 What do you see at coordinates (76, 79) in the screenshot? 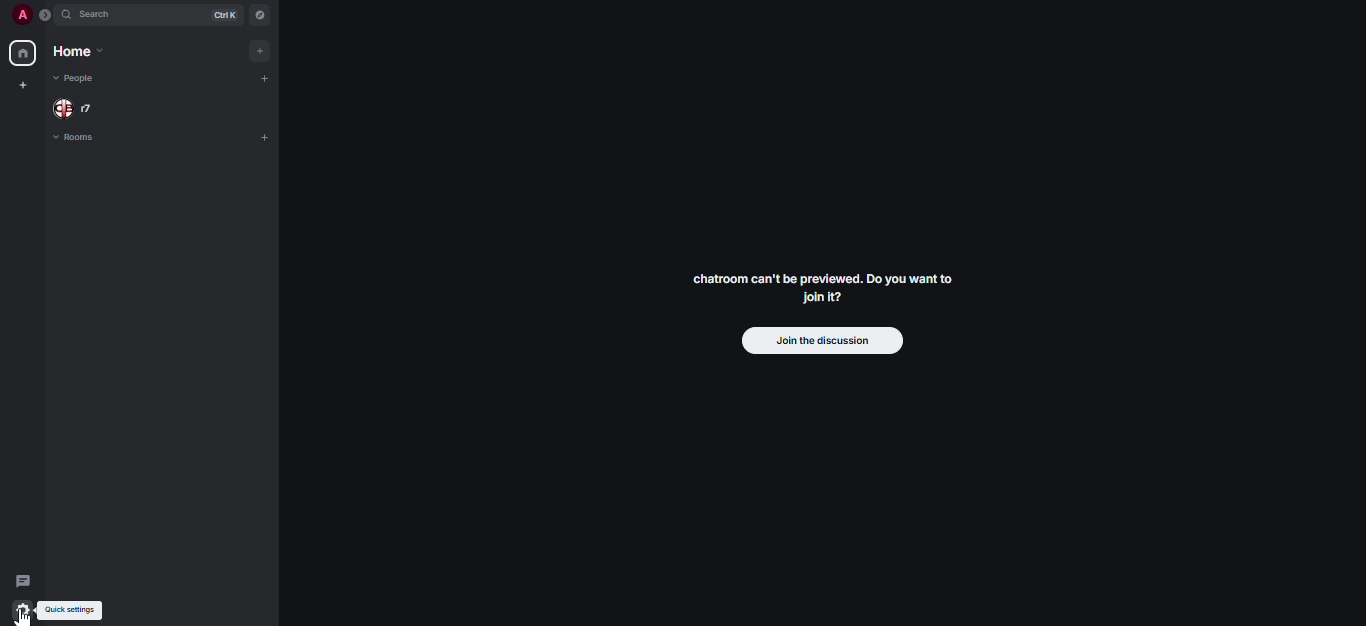
I see `people` at bounding box center [76, 79].